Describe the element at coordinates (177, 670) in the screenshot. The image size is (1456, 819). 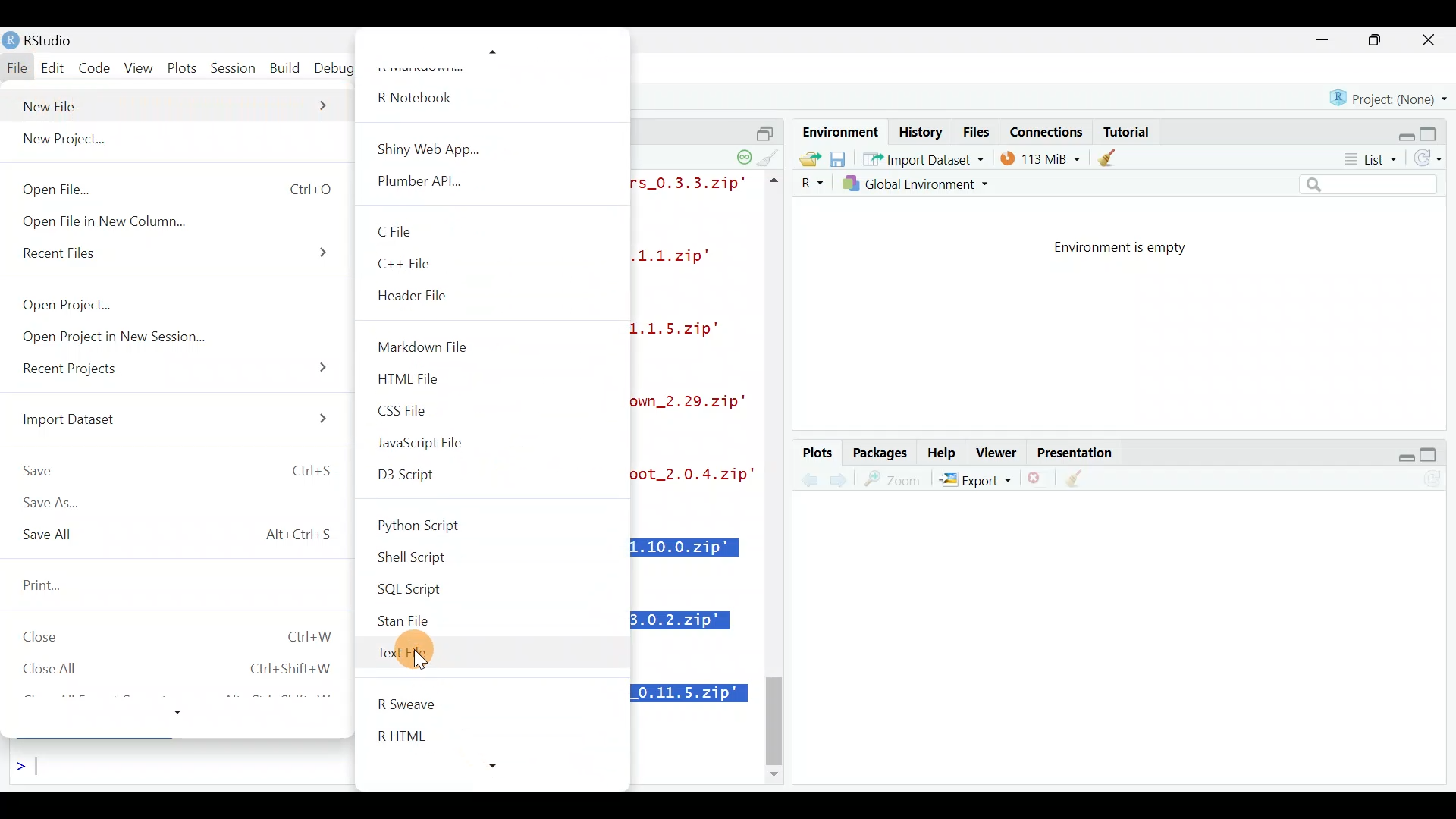
I see `Close All Ctrl+Shift+W` at that location.